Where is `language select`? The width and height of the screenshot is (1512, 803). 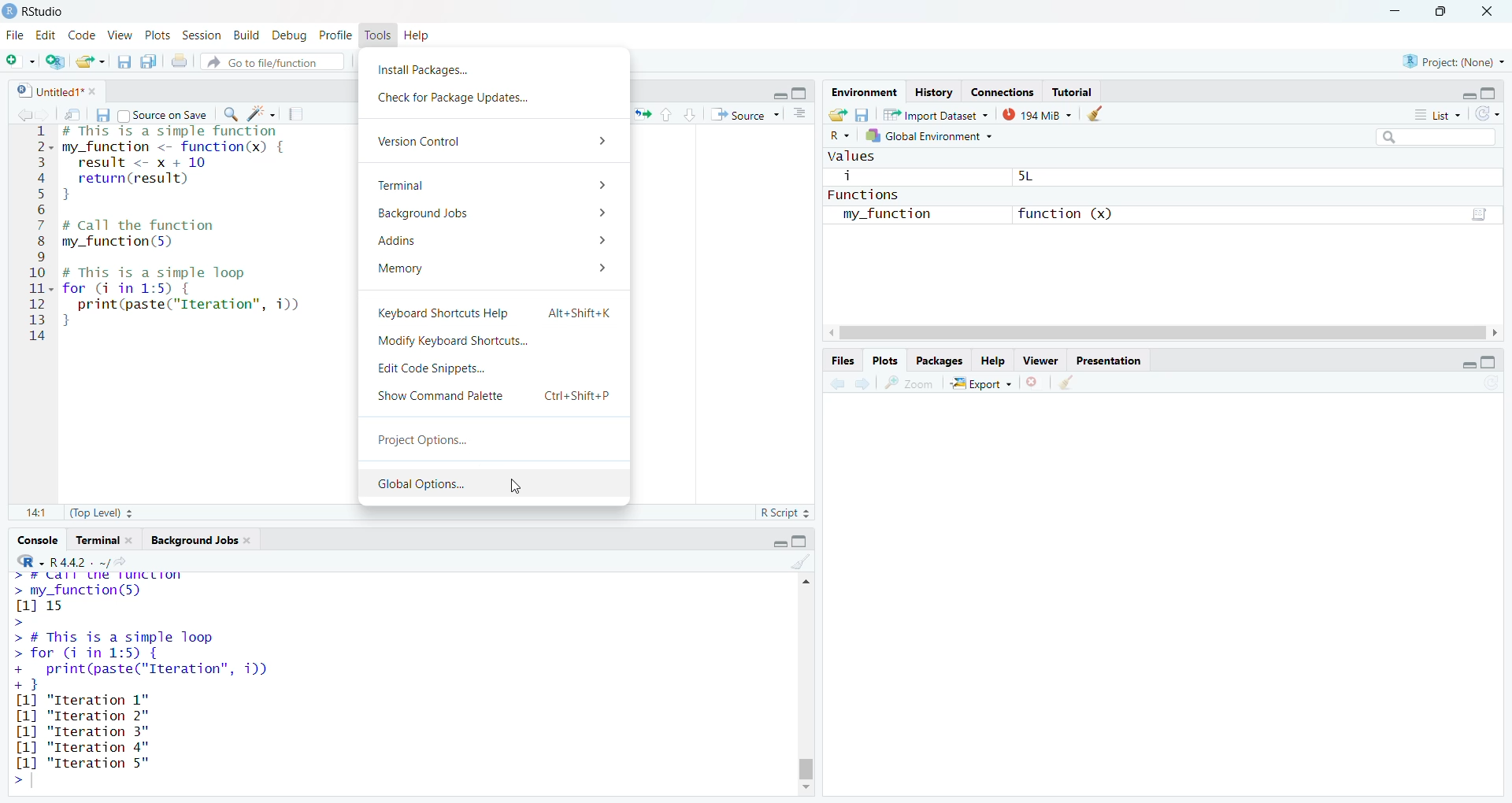 language select is located at coordinates (839, 137).